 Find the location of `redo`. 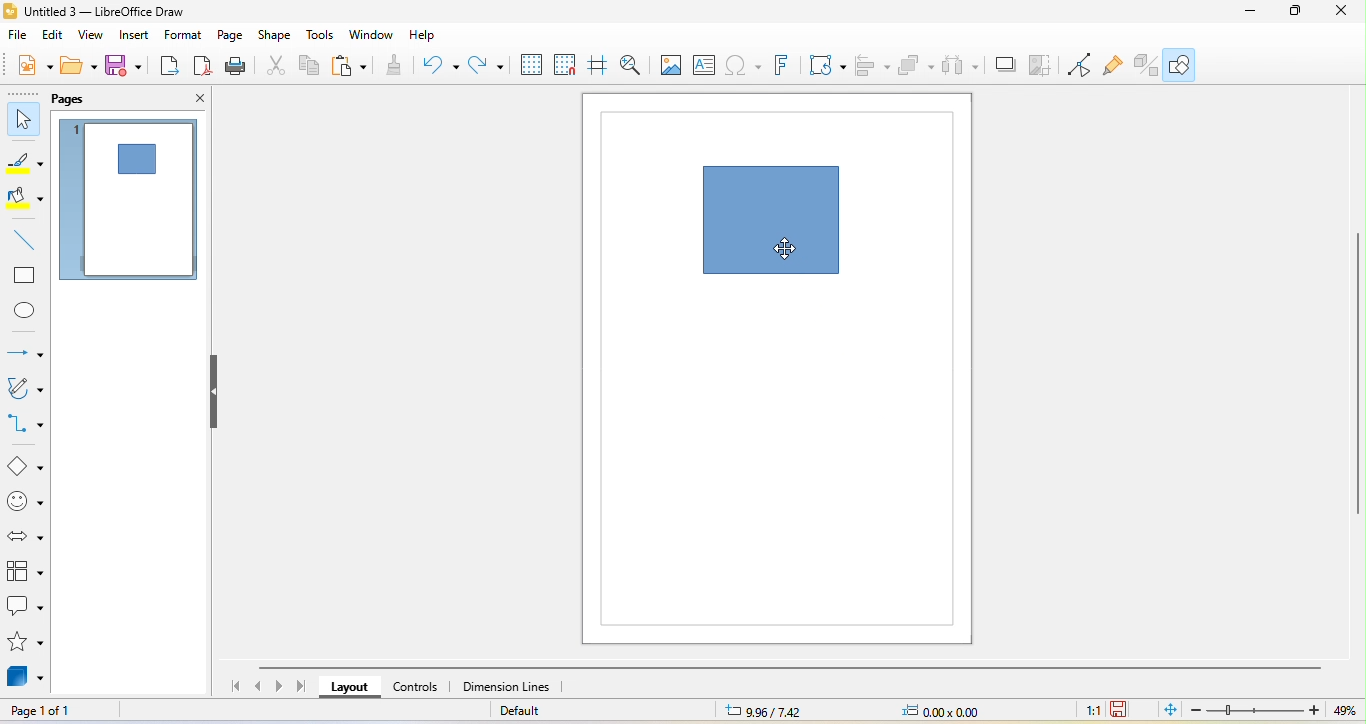

redo is located at coordinates (487, 67).